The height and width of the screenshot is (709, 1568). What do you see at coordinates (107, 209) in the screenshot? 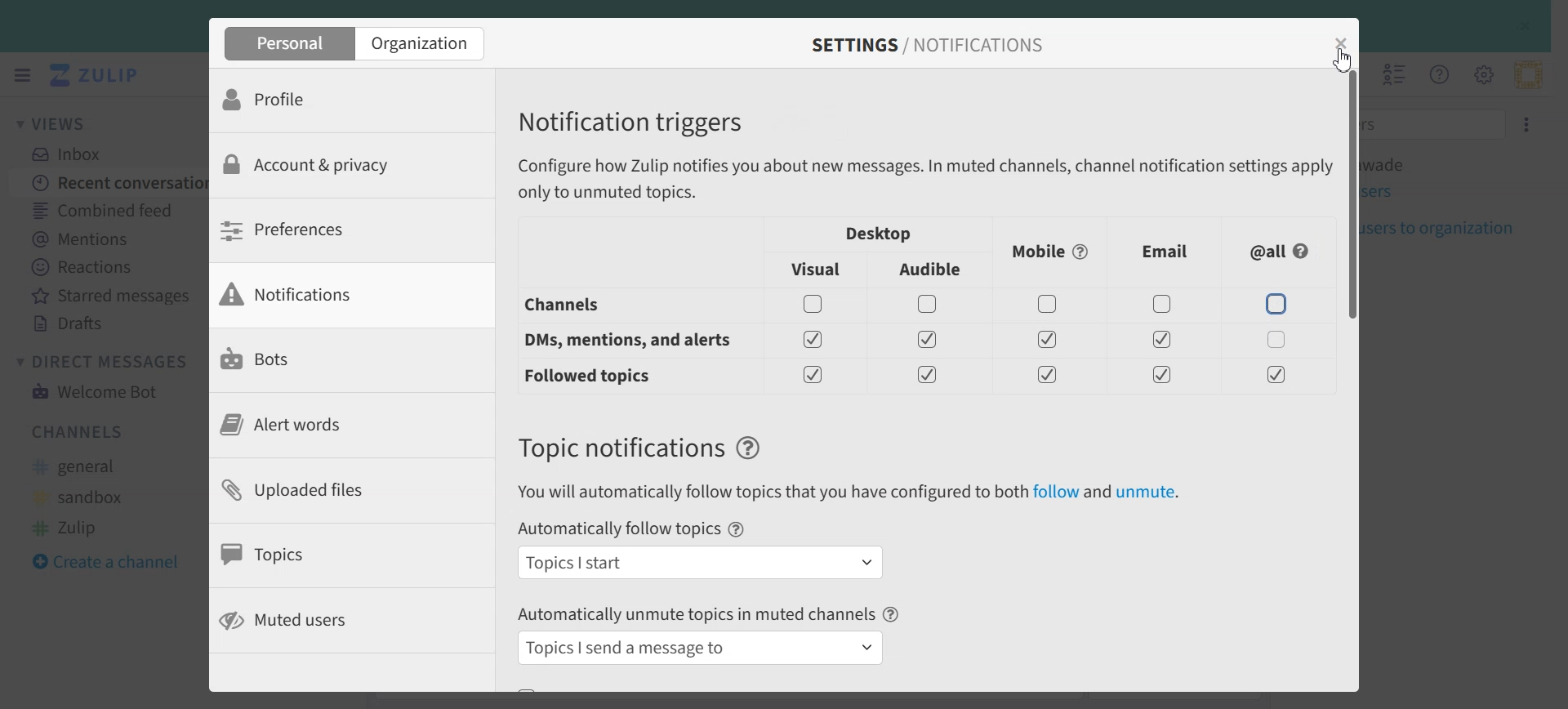
I see `Combined Feed` at bounding box center [107, 209].